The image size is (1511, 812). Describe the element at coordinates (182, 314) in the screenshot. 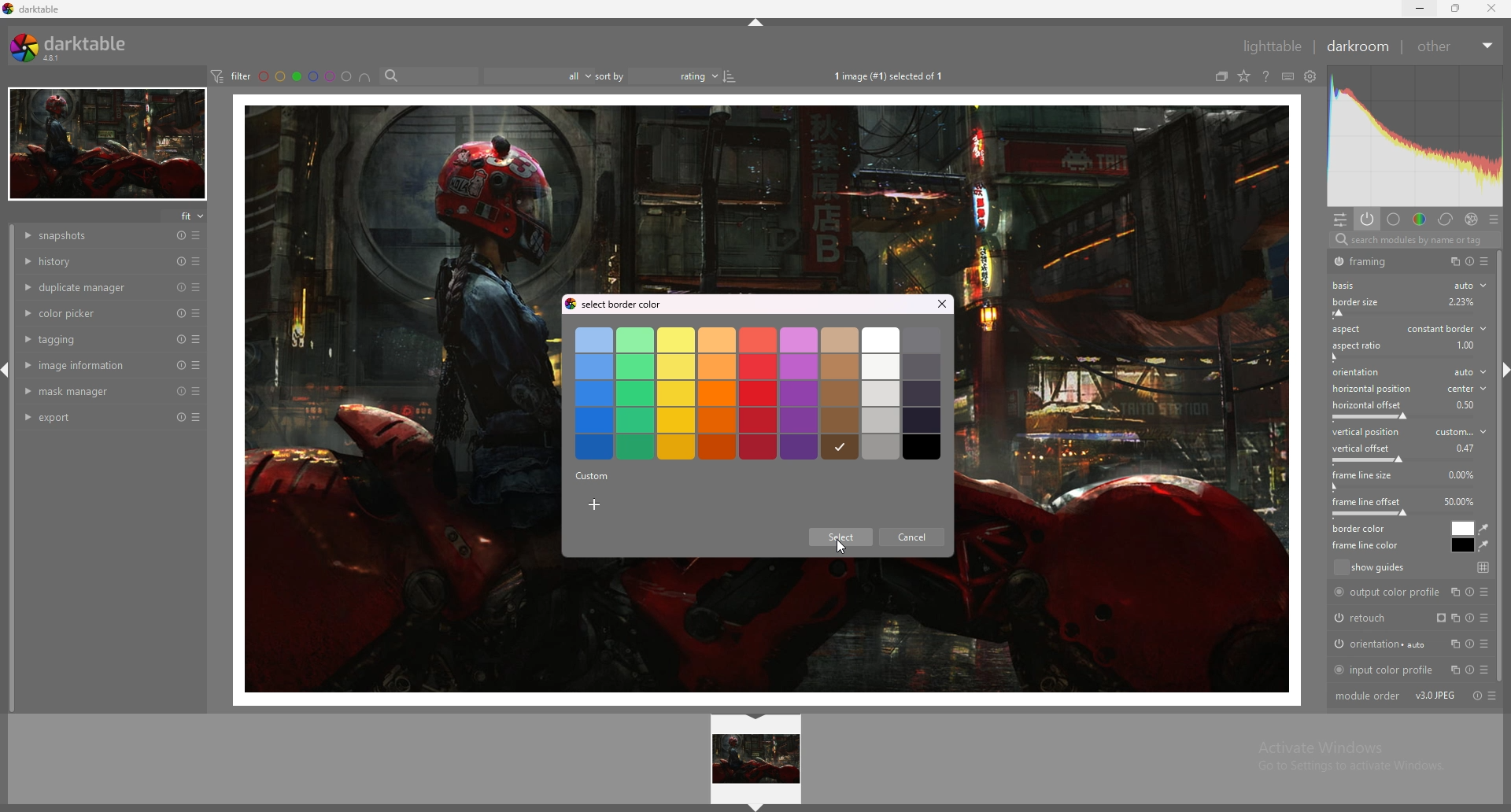

I see `reset` at that location.